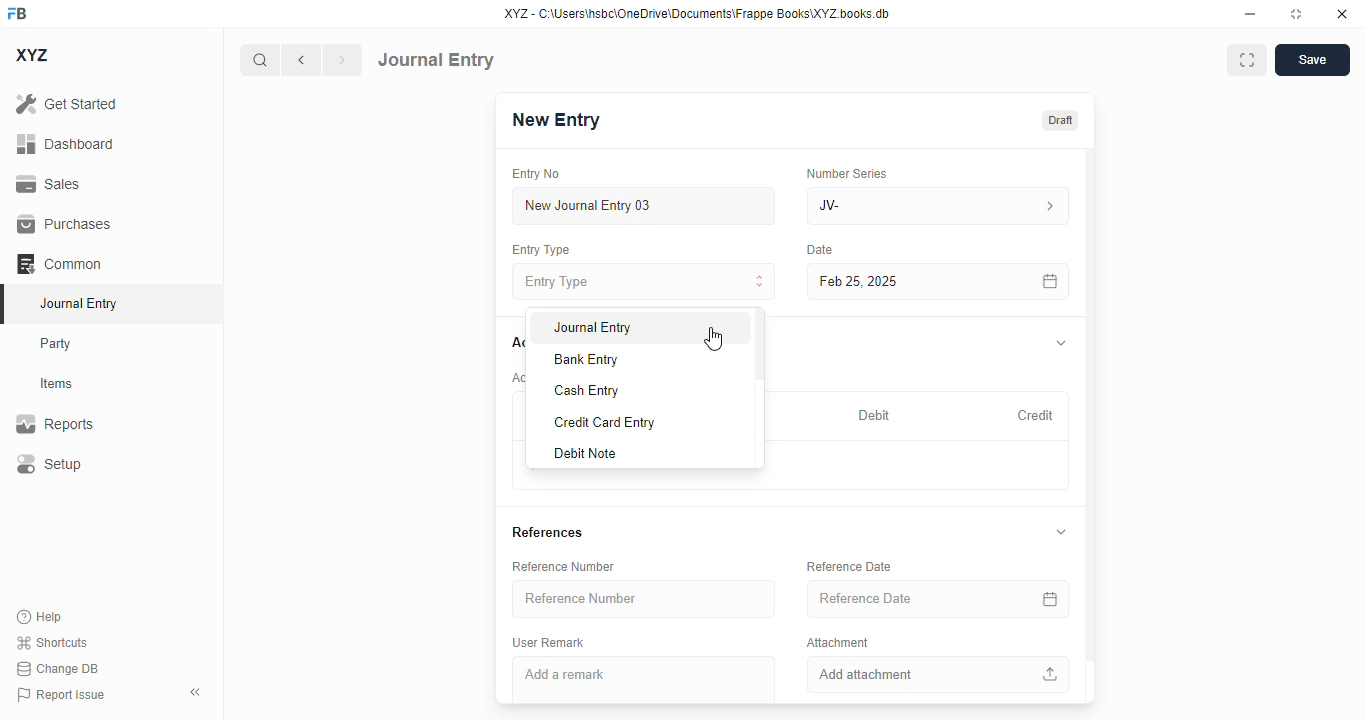 Image resolution: width=1366 pixels, height=720 pixels. Describe the element at coordinates (1051, 599) in the screenshot. I see `calendar icon` at that location.